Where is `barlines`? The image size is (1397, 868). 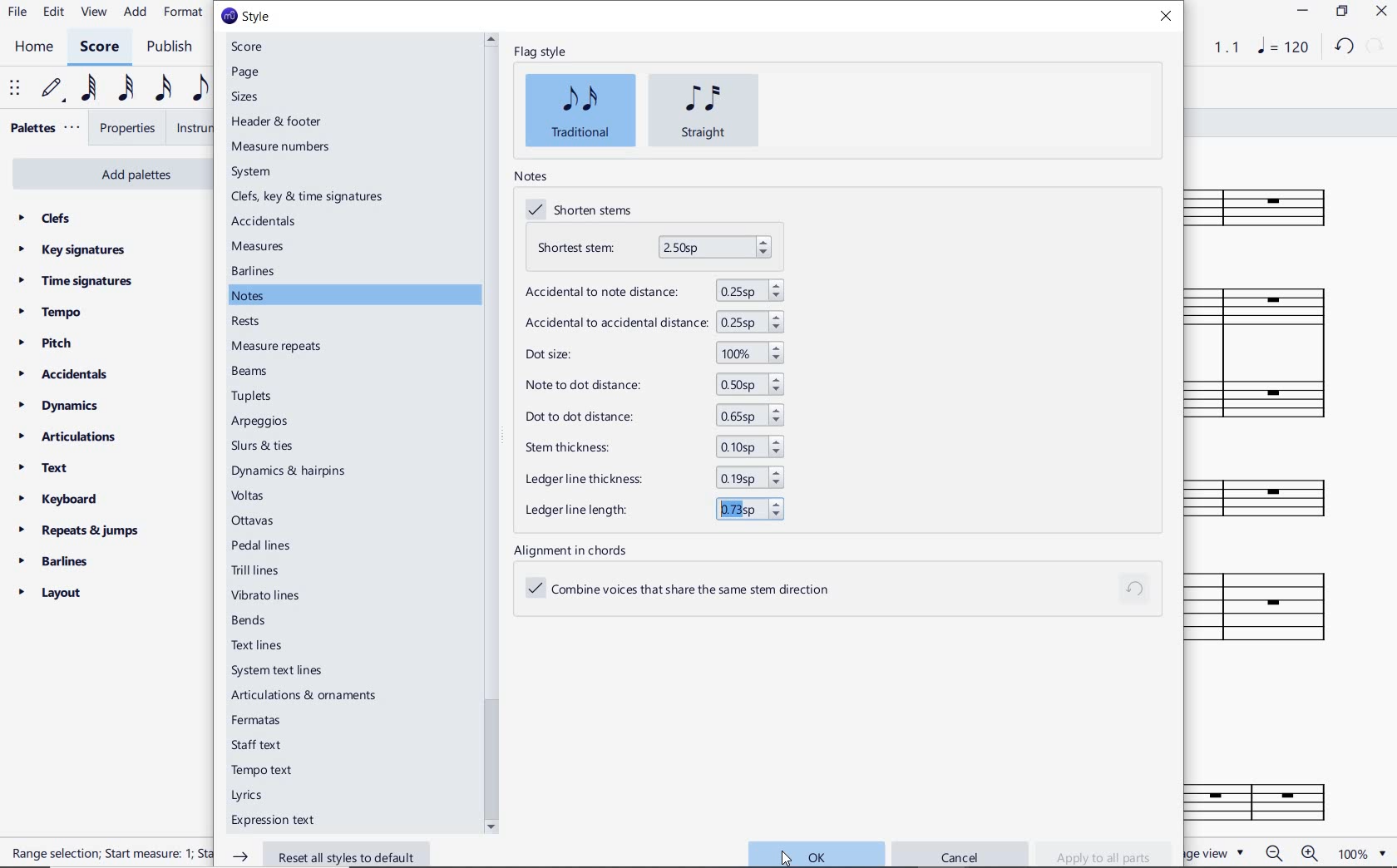 barlines is located at coordinates (254, 272).